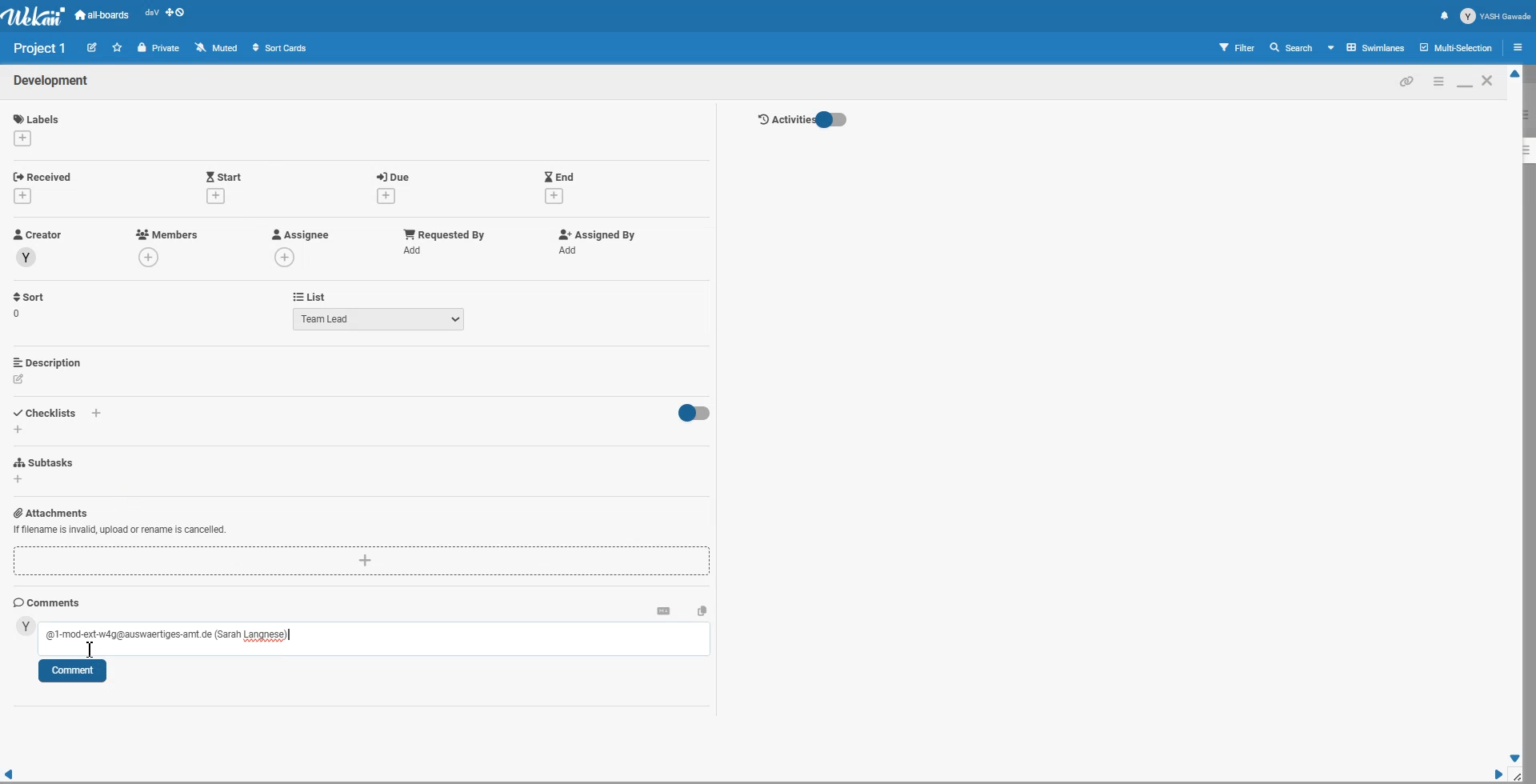  What do you see at coordinates (159, 48) in the screenshot?
I see `Private` at bounding box center [159, 48].